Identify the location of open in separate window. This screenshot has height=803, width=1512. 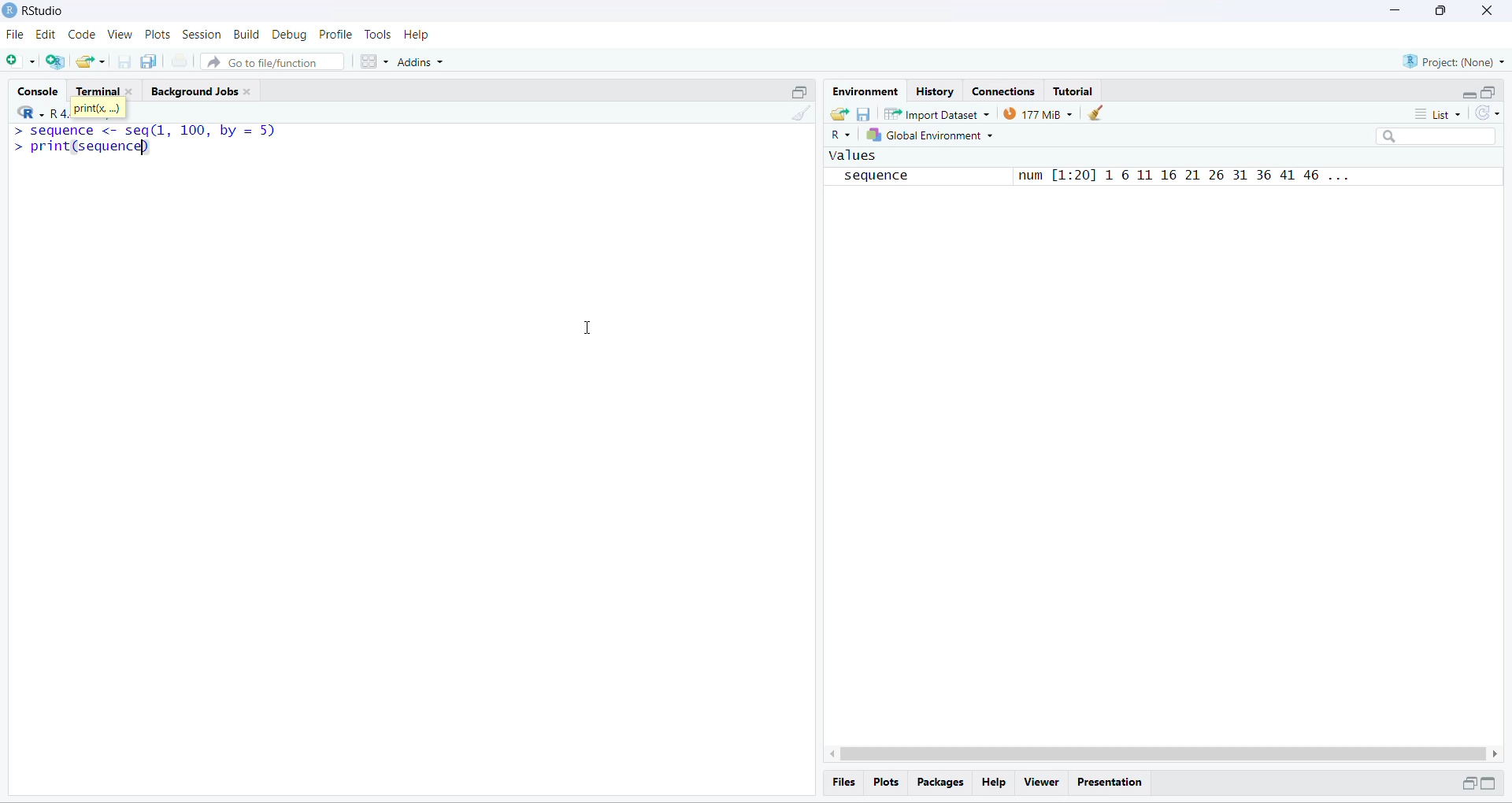
(801, 92).